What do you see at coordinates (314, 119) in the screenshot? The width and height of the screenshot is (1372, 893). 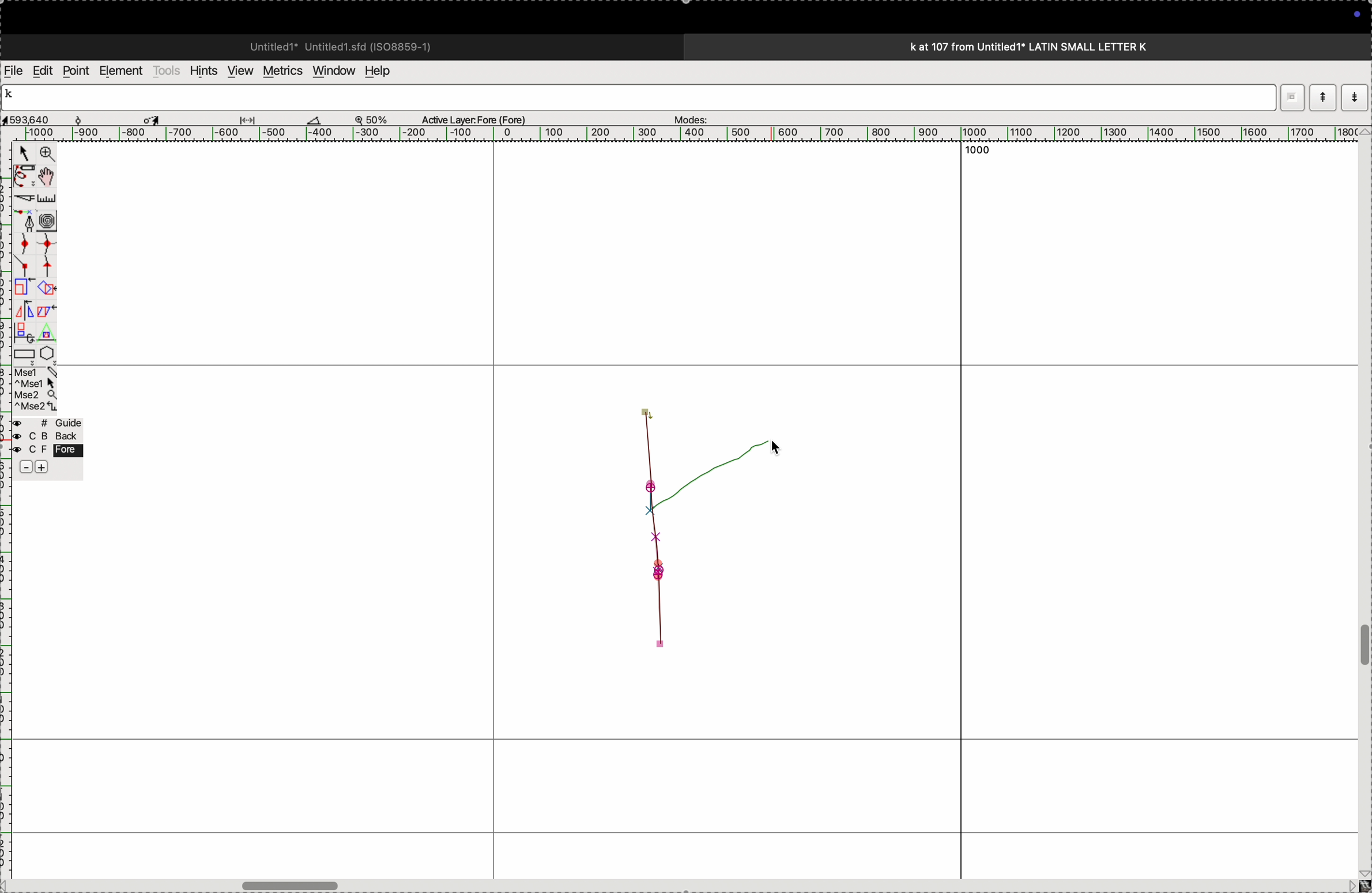 I see `cut` at bounding box center [314, 119].